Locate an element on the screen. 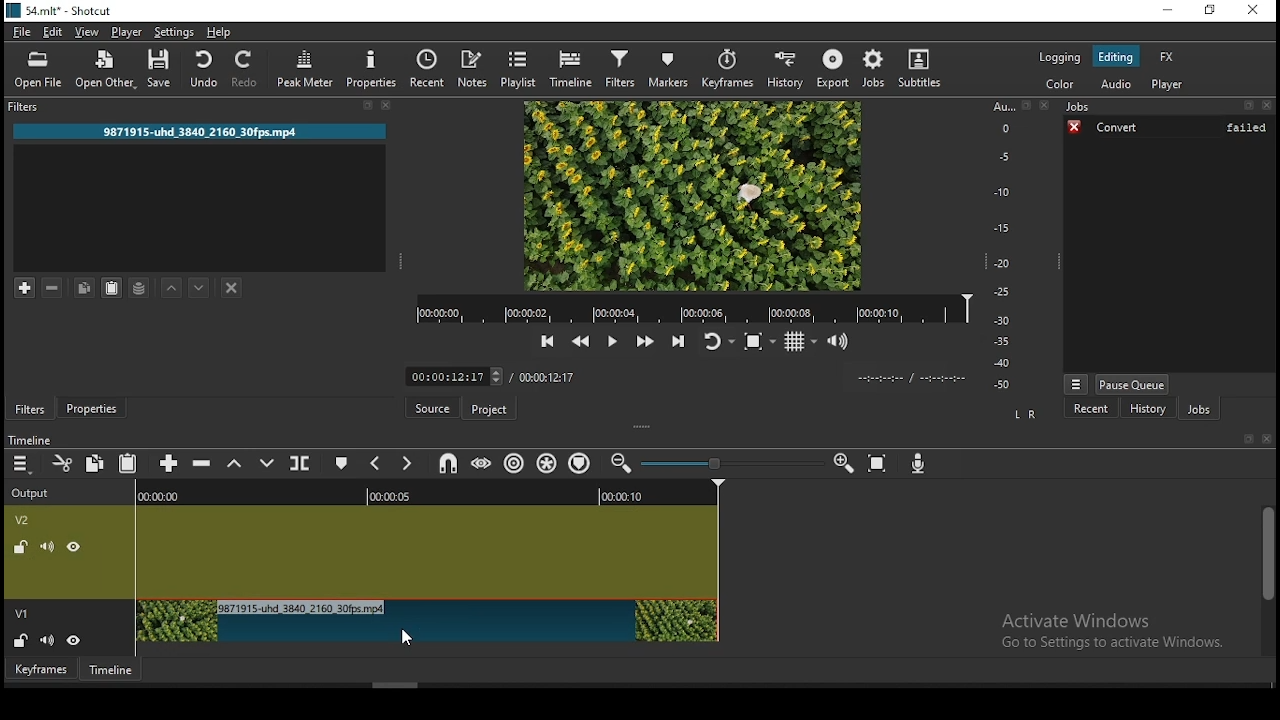 The height and width of the screenshot is (720, 1280). remove selected filters is located at coordinates (55, 286).